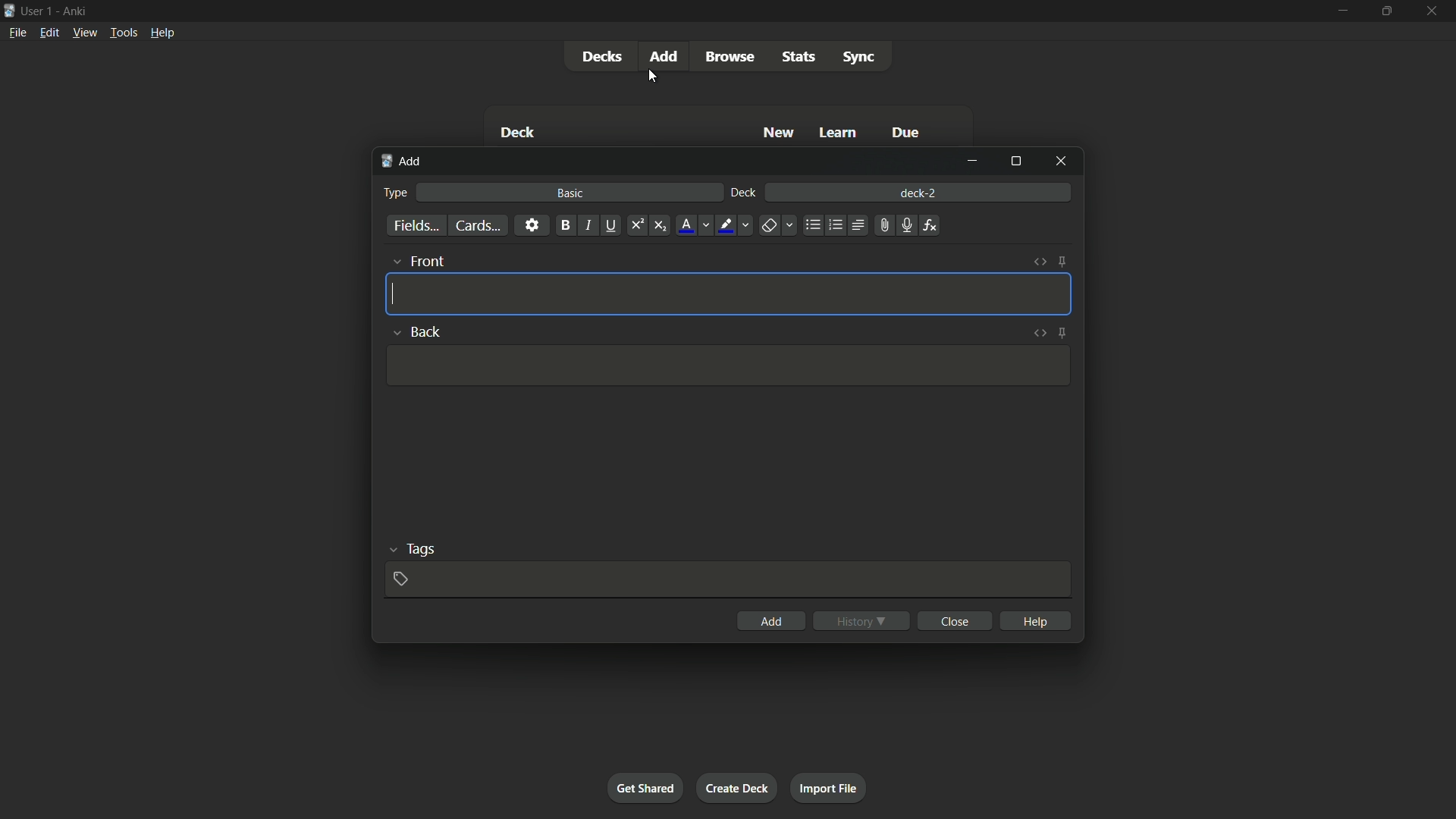 The height and width of the screenshot is (819, 1456). Describe the element at coordinates (570, 193) in the screenshot. I see `basic` at that location.